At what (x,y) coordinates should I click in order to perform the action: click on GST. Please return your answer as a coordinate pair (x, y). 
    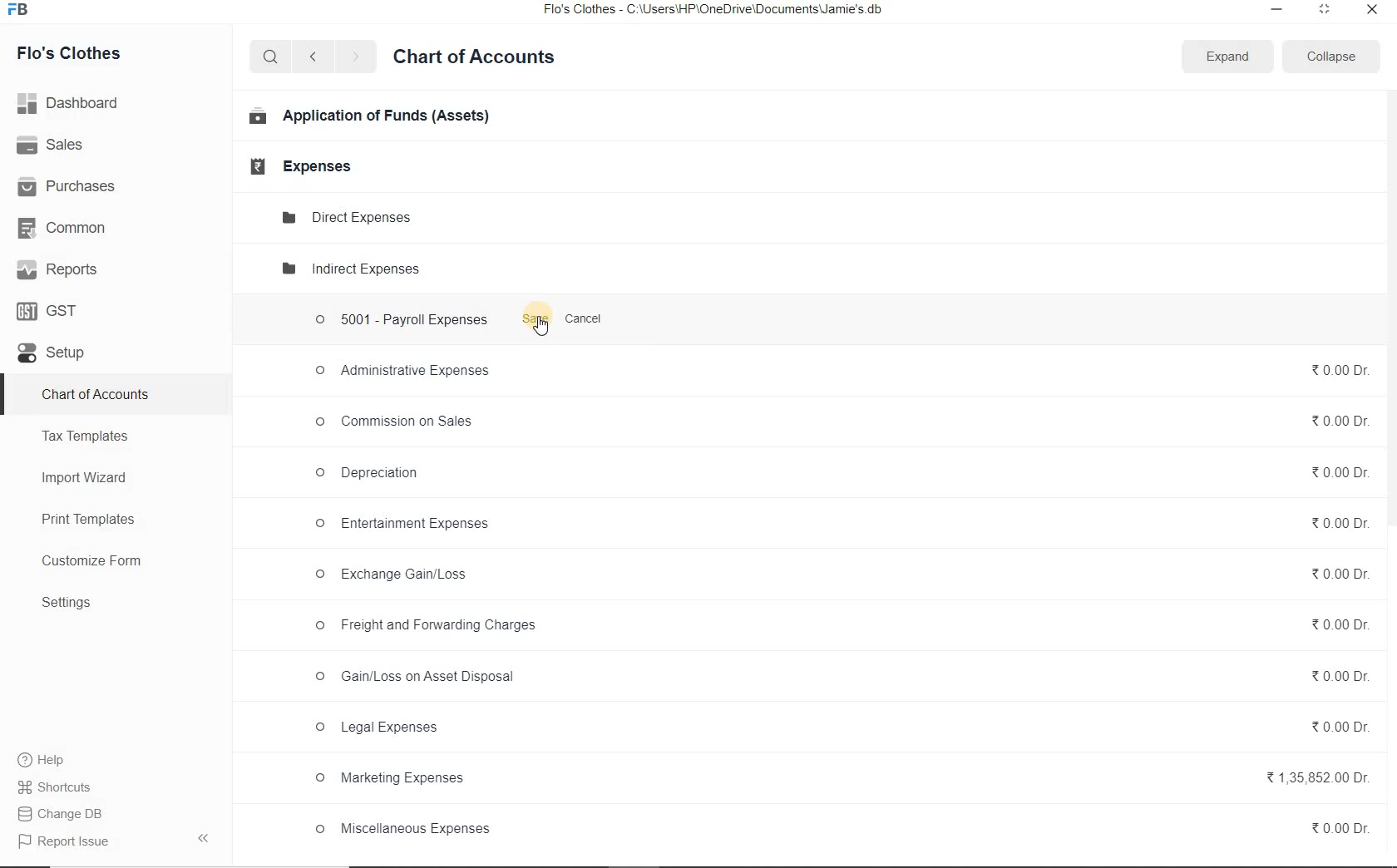
    Looking at the image, I should click on (49, 310).